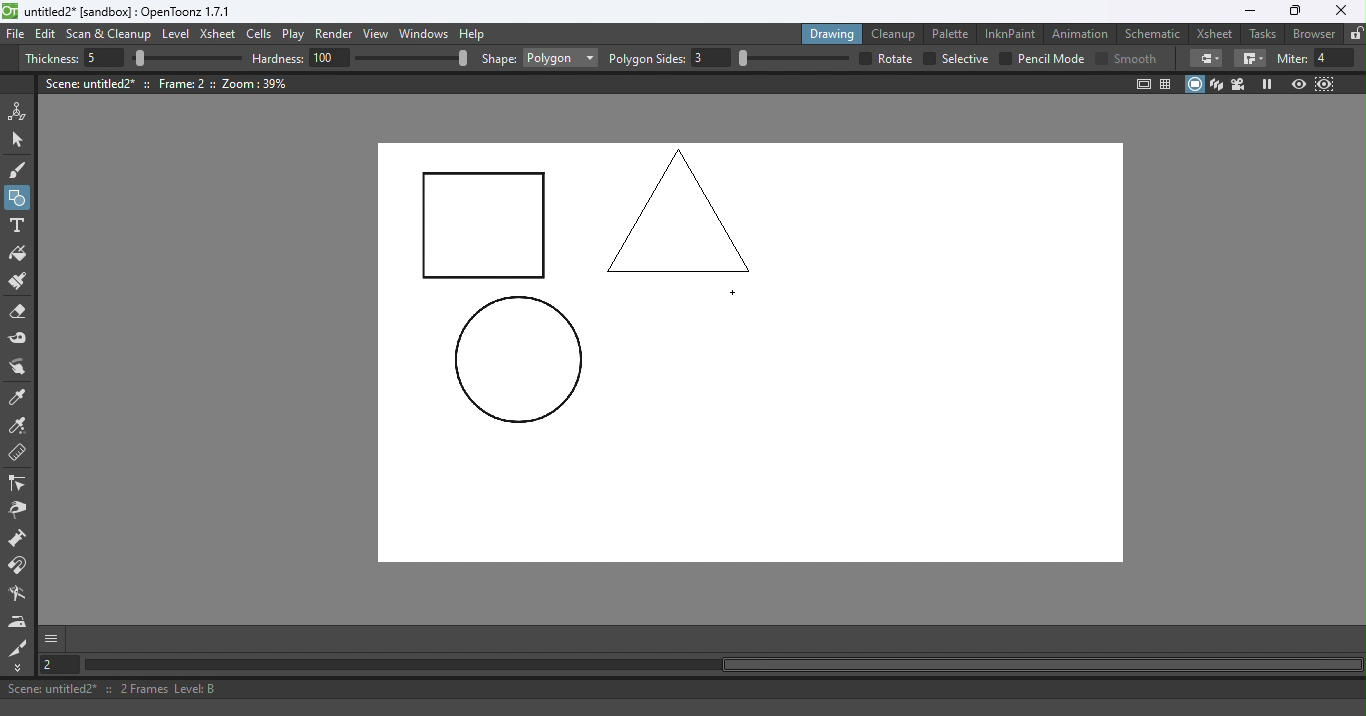  Describe the element at coordinates (129, 12) in the screenshot. I see `File name` at that location.